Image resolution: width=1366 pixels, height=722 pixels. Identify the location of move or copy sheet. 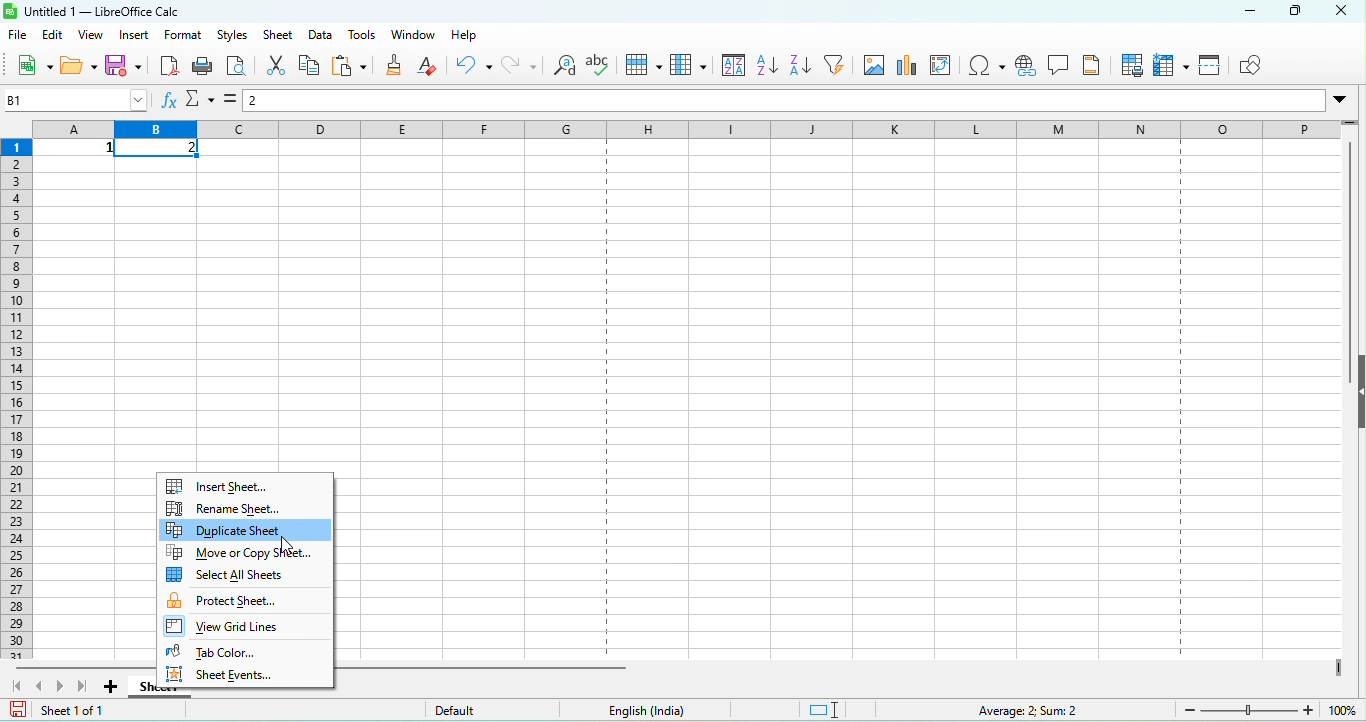
(245, 554).